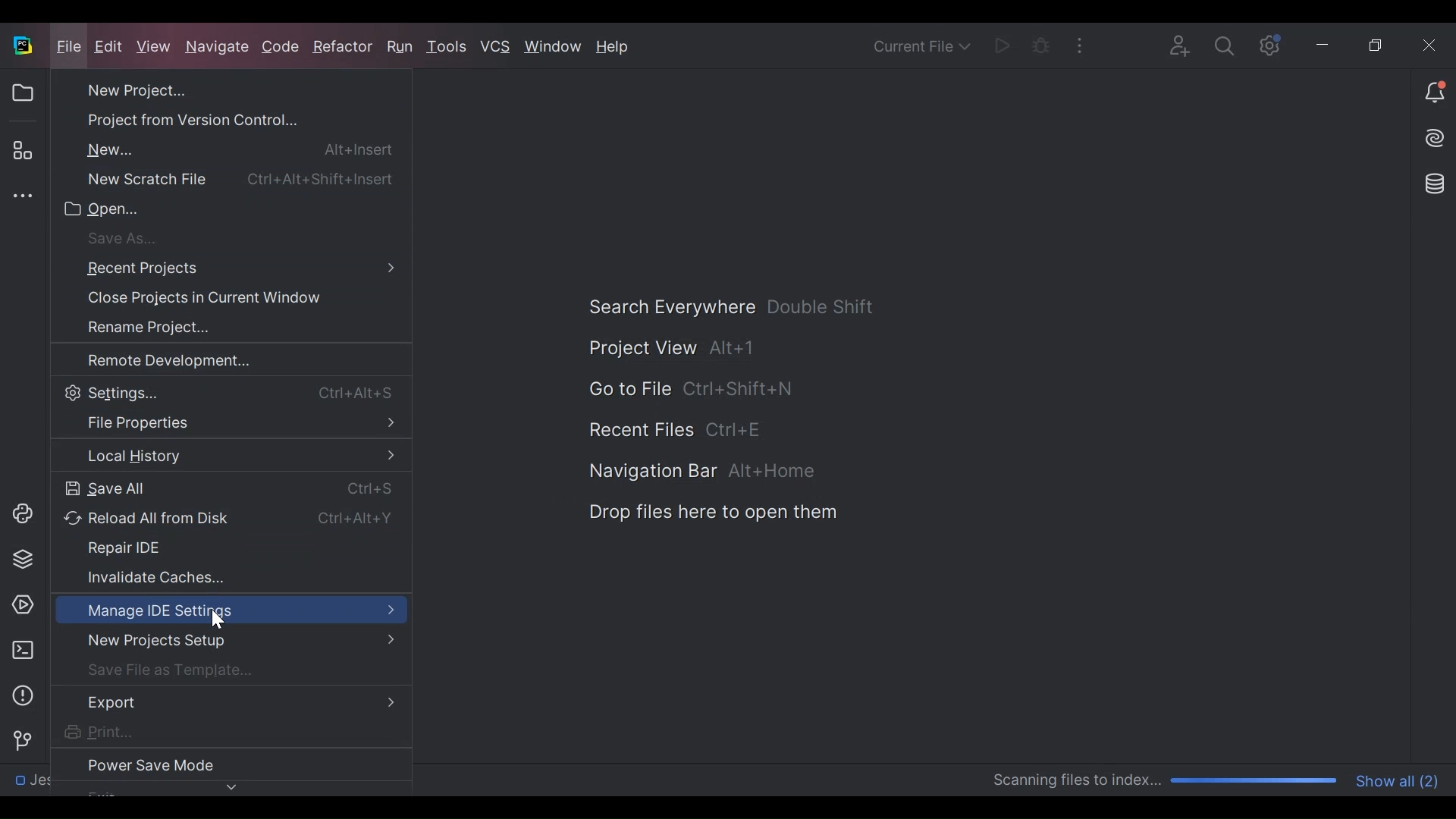 Image resolution: width=1456 pixels, height=819 pixels. What do you see at coordinates (224, 391) in the screenshot?
I see `Settings` at bounding box center [224, 391].